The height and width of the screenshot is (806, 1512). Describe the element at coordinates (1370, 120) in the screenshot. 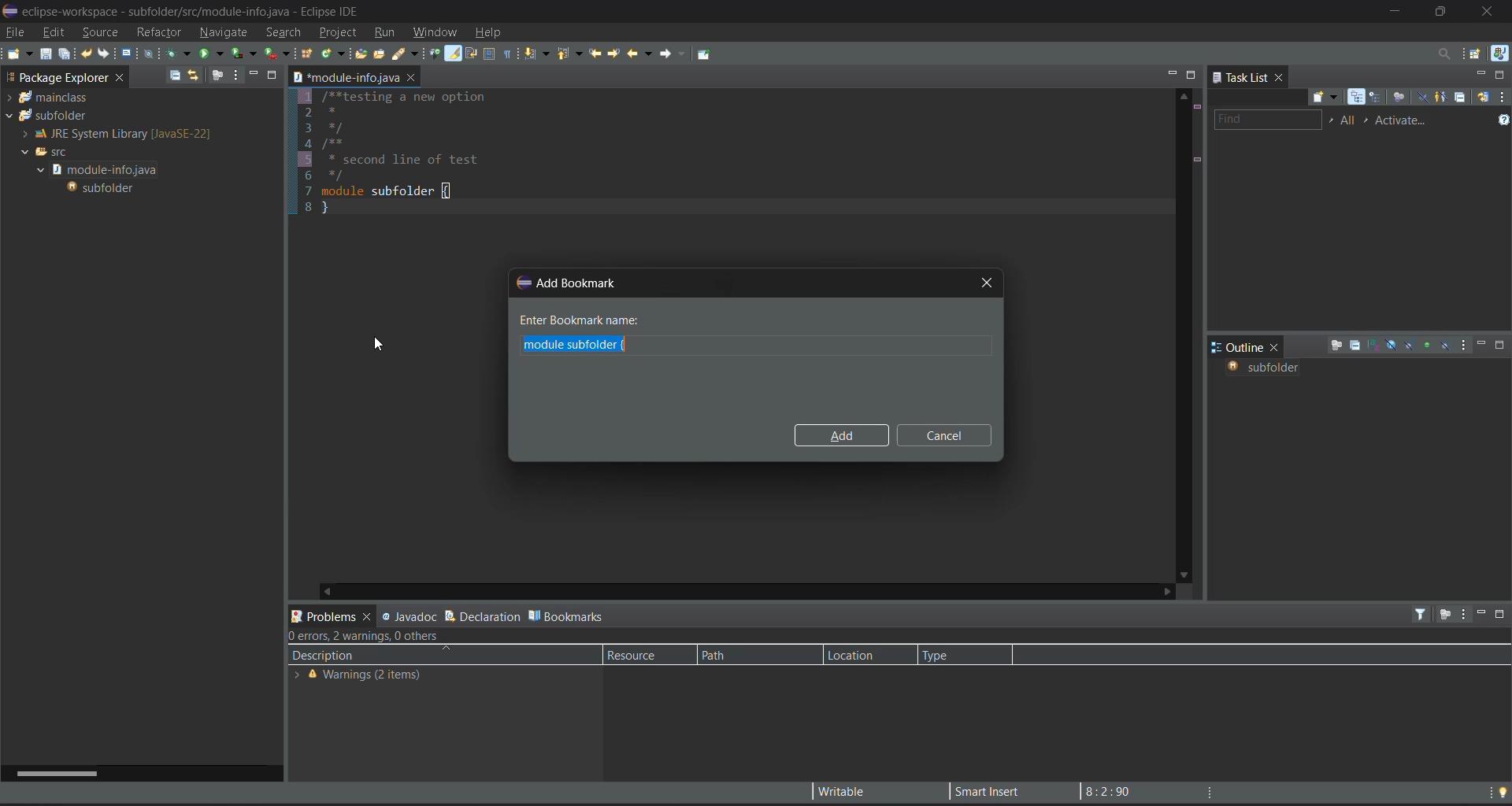

I see `select active task` at that location.